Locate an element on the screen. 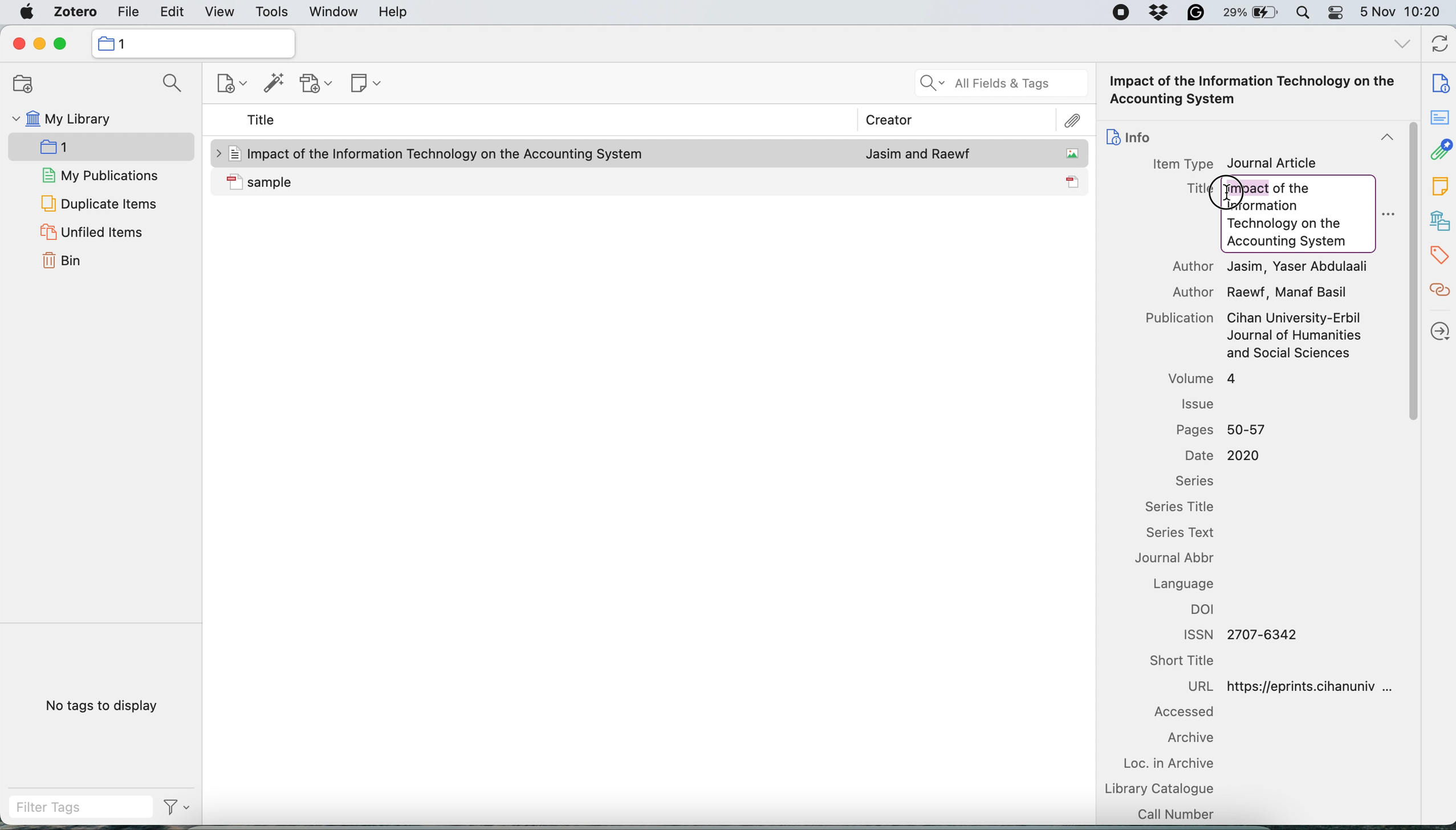  related is located at coordinates (1439, 292).